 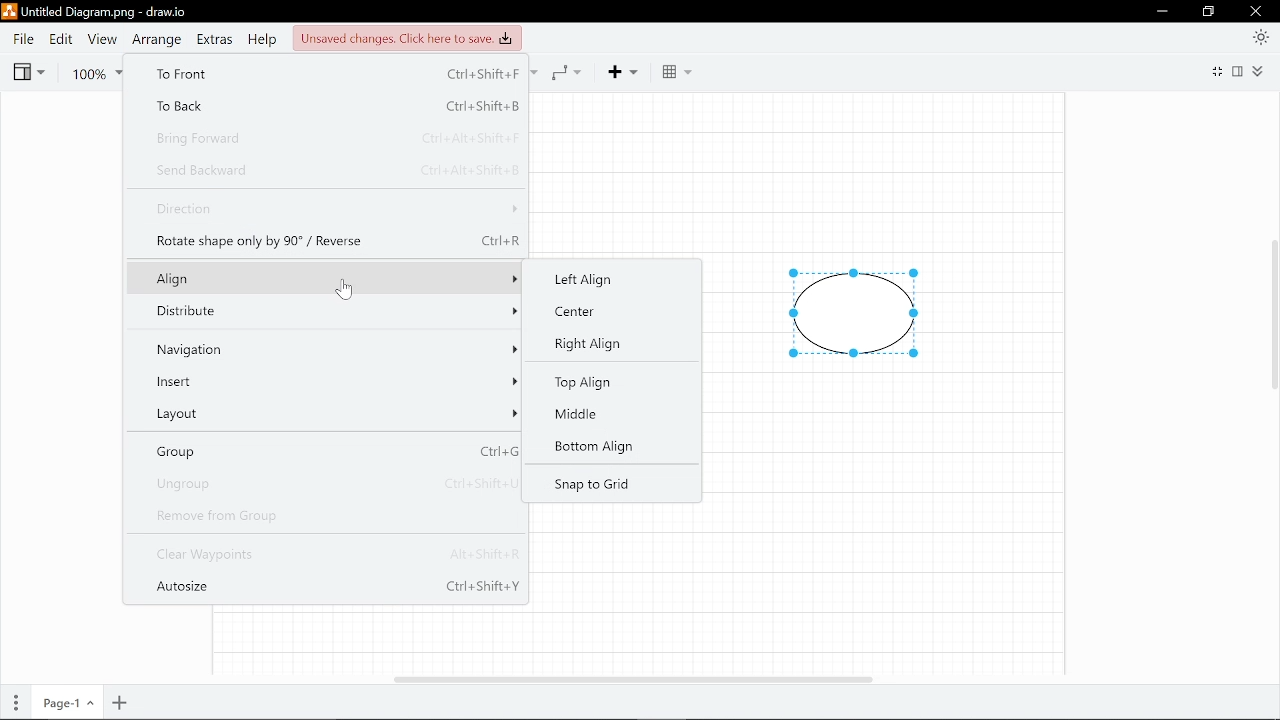 I want to click on Layout, so click(x=329, y=410).